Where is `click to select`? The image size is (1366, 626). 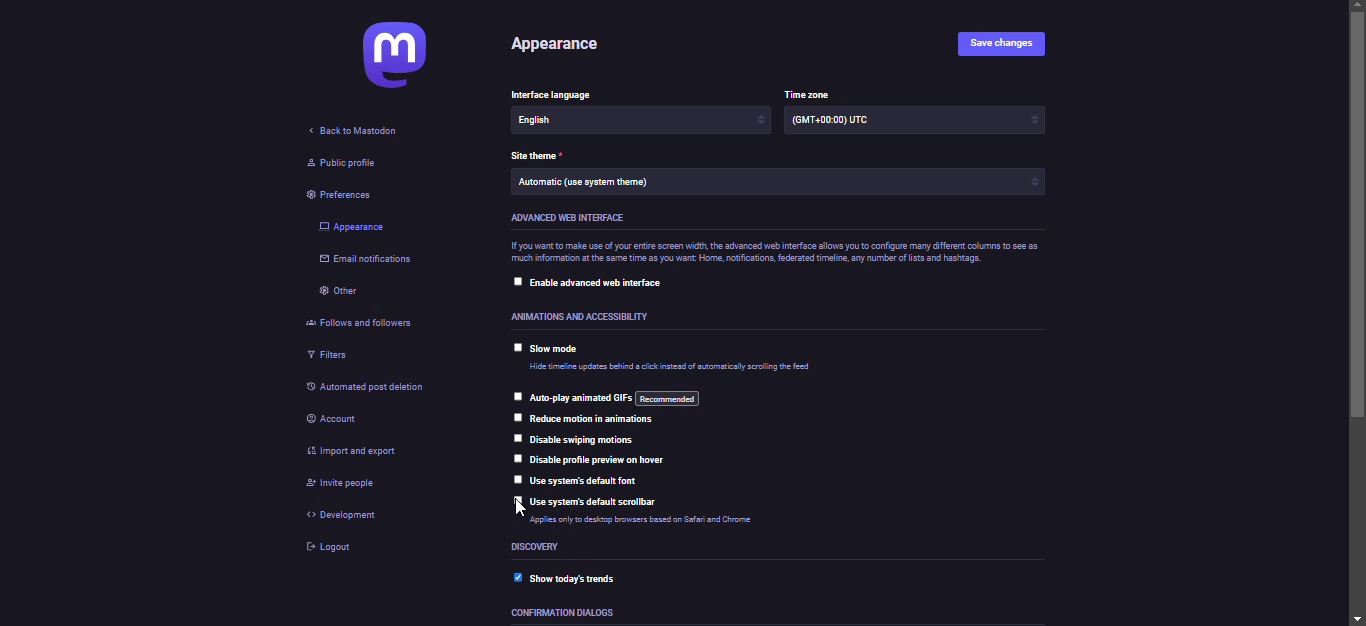 click to select is located at coordinates (515, 419).